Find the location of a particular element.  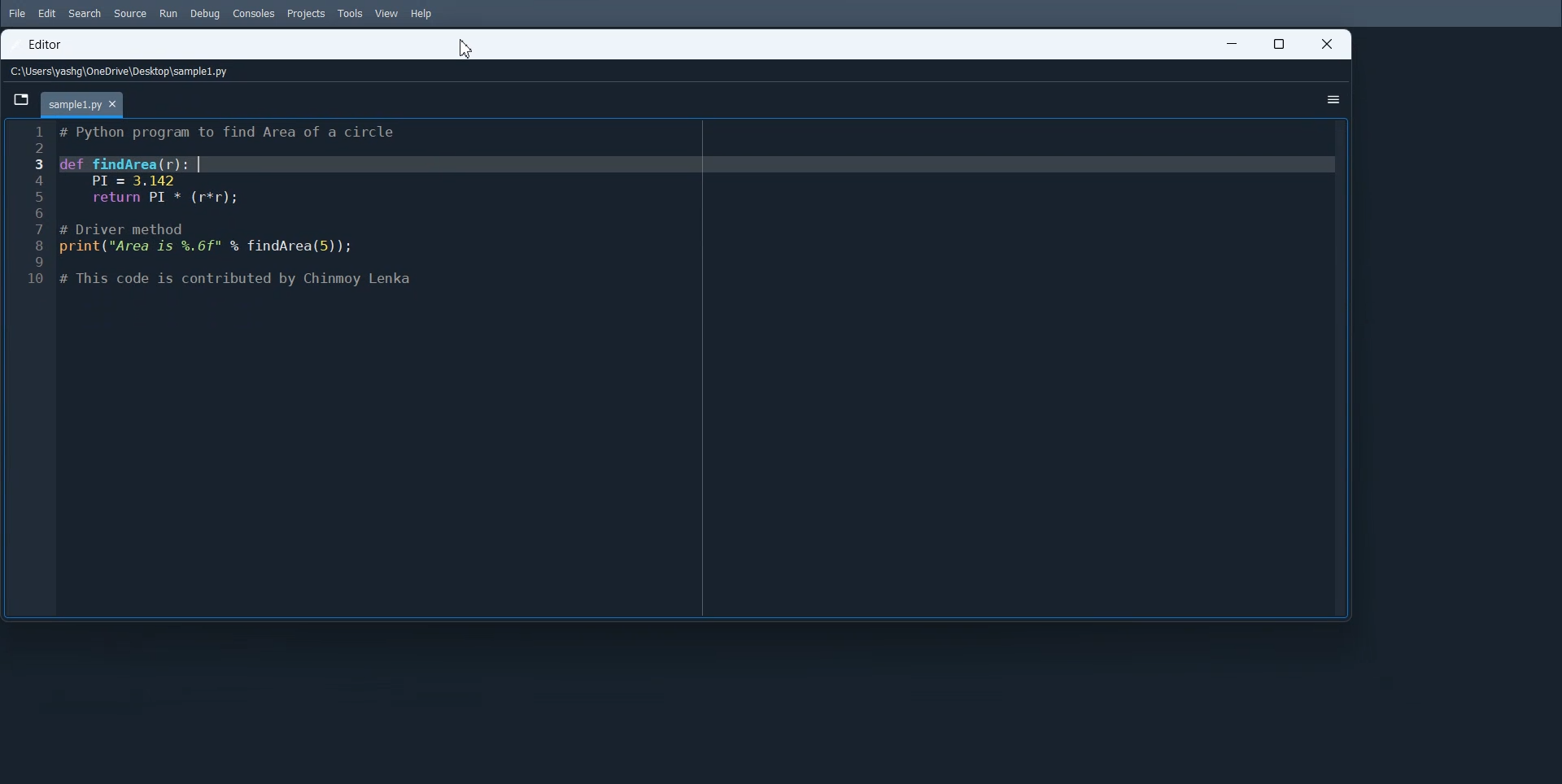

Maximize is located at coordinates (1281, 46).